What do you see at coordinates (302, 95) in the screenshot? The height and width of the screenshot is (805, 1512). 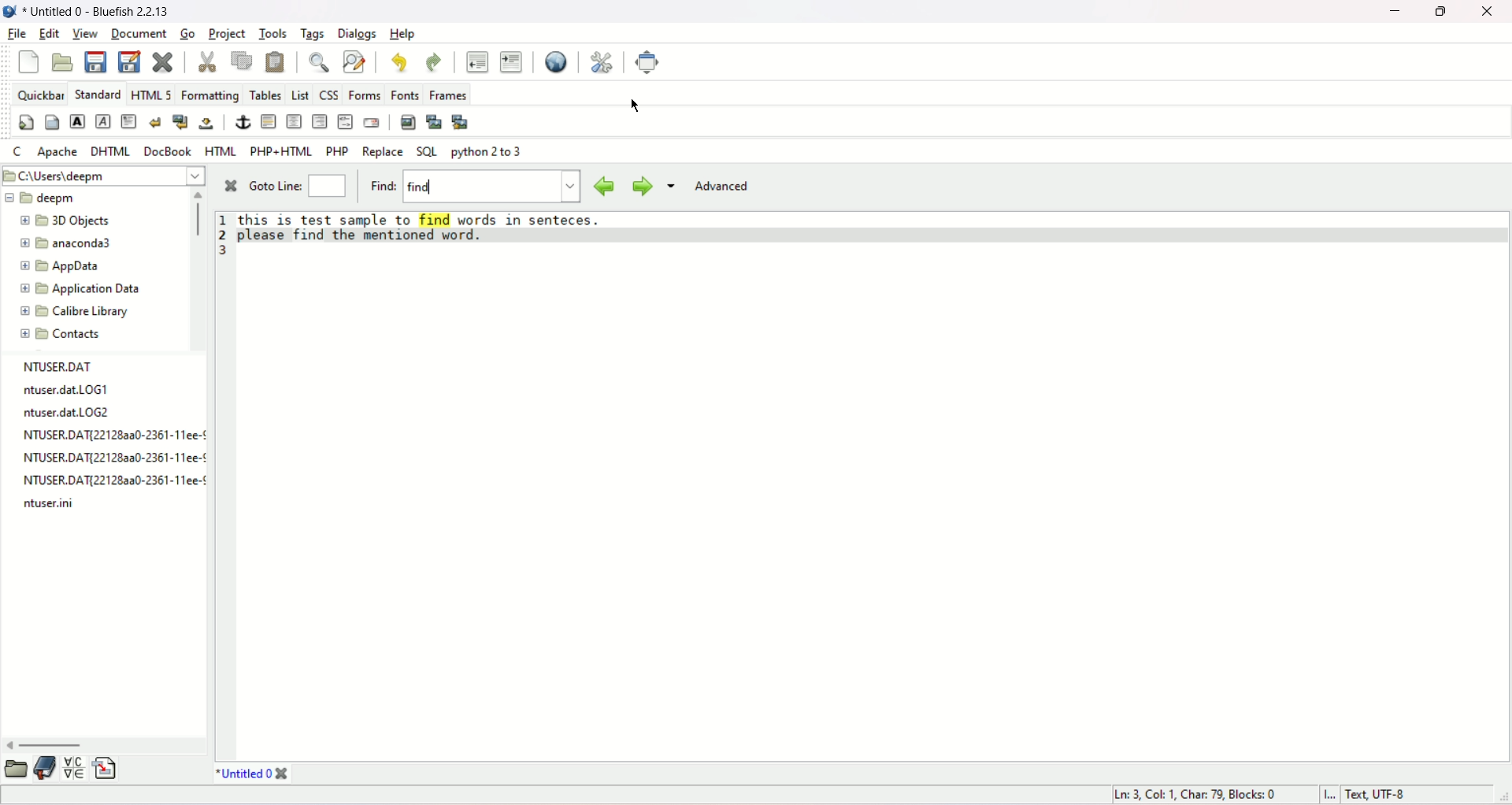 I see `list` at bounding box center [302, 95].